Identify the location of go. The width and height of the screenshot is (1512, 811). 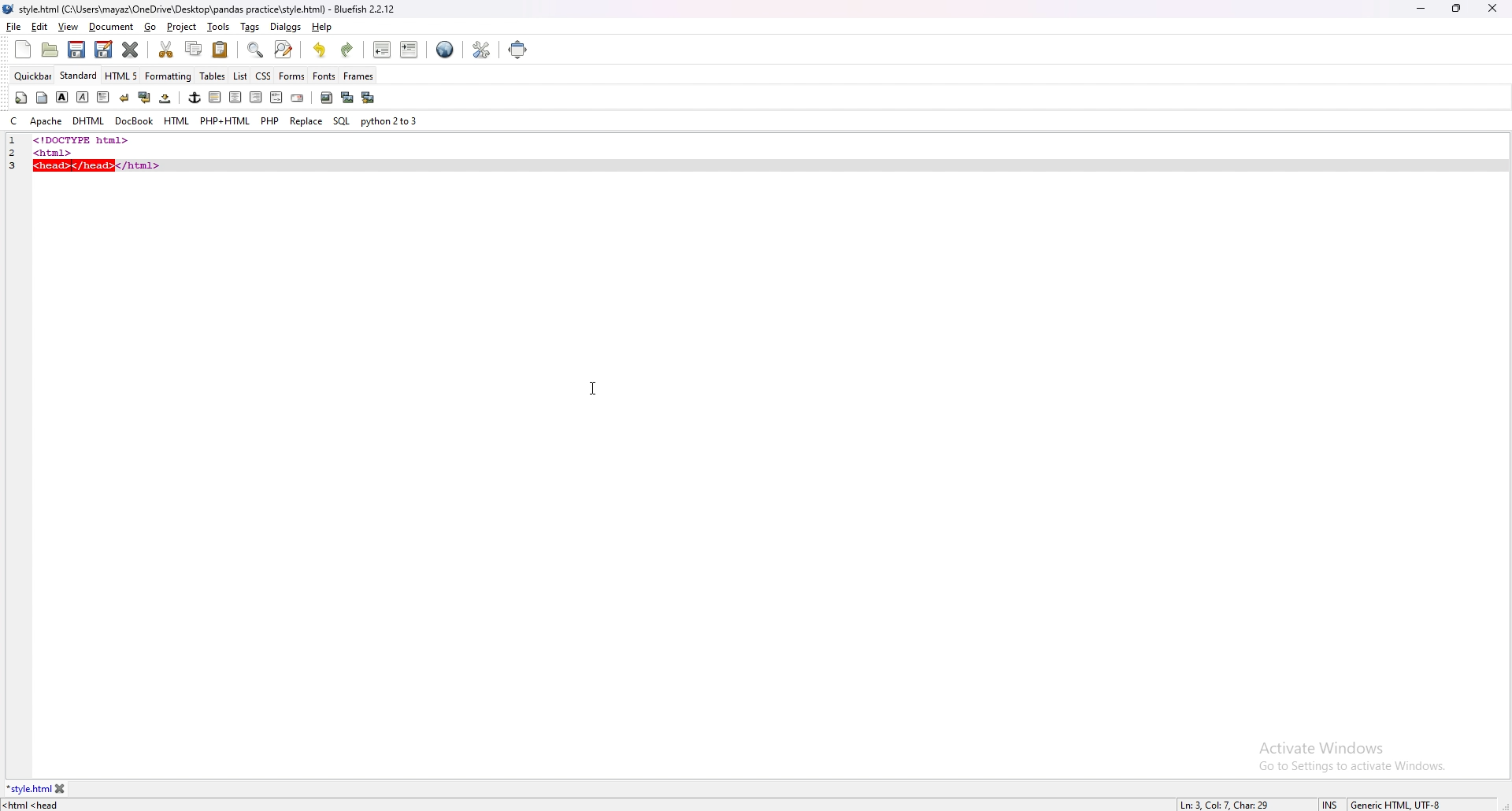
(152, 28).